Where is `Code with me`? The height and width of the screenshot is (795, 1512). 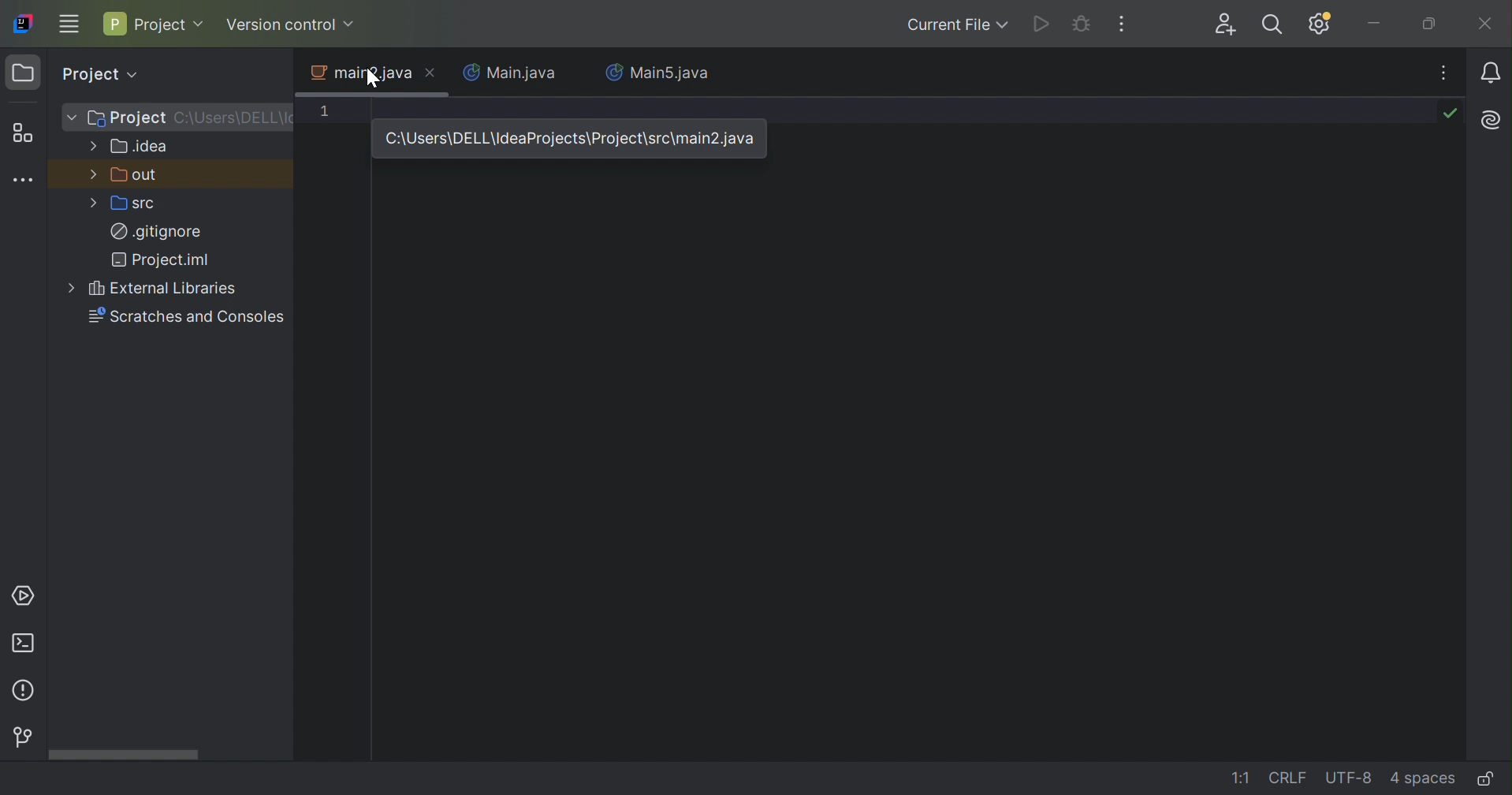 Code with me is located at coordinates (1227, 25).